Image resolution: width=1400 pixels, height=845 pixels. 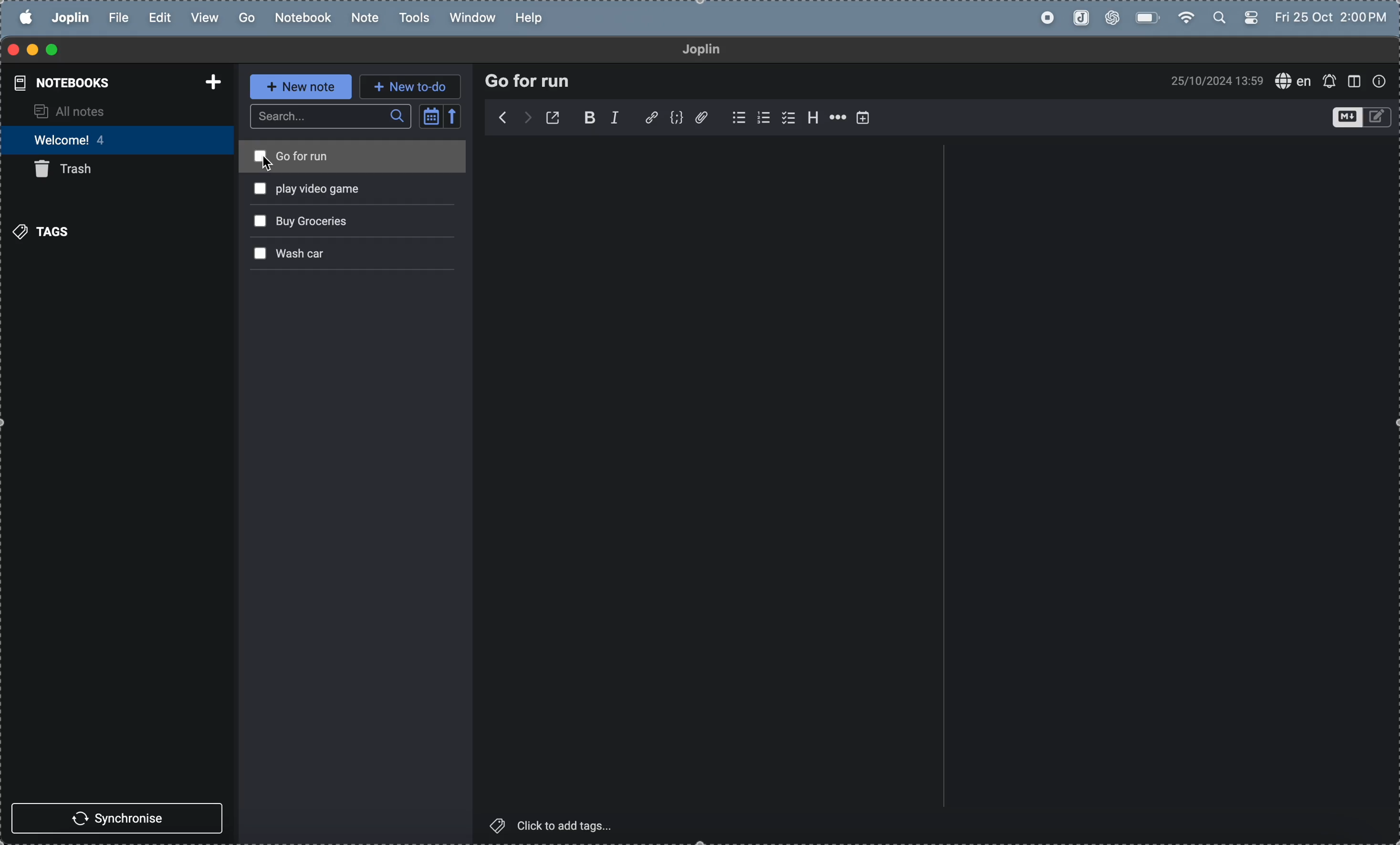 I want to click on welcomes, so click(x=109, y=140).